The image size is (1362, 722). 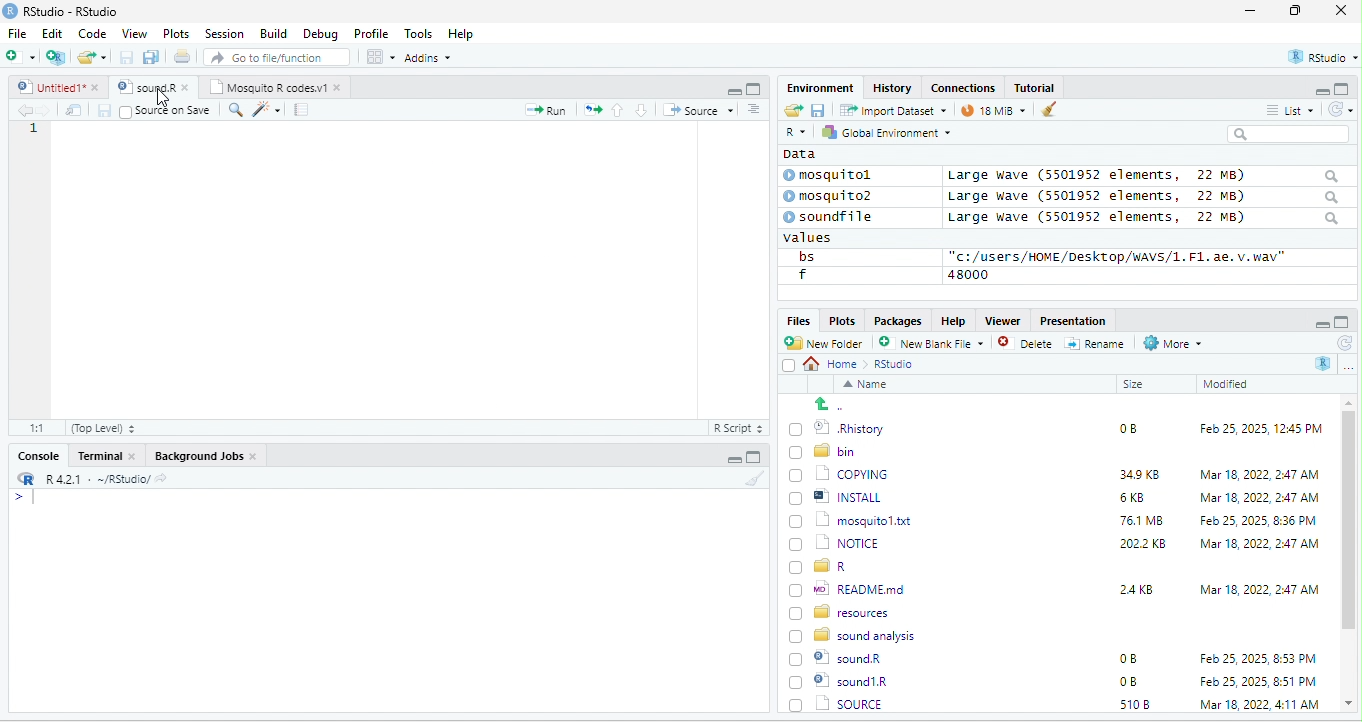 What do you see at coordinates (1261, 431) in the screenshot?
I see `Feb 25, 2025, 12:45 PM` at bounding box center [1261, 431].